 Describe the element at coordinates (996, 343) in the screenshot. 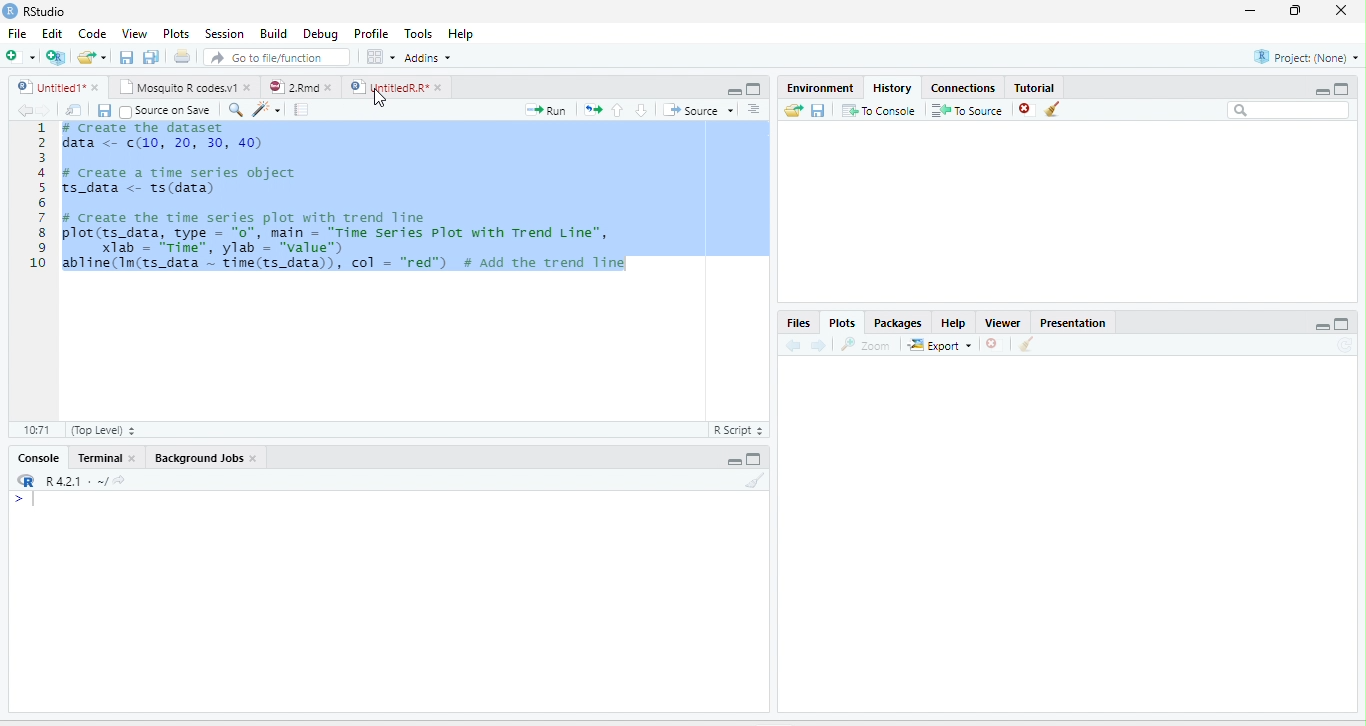

I see `Remove current plot` at that location.